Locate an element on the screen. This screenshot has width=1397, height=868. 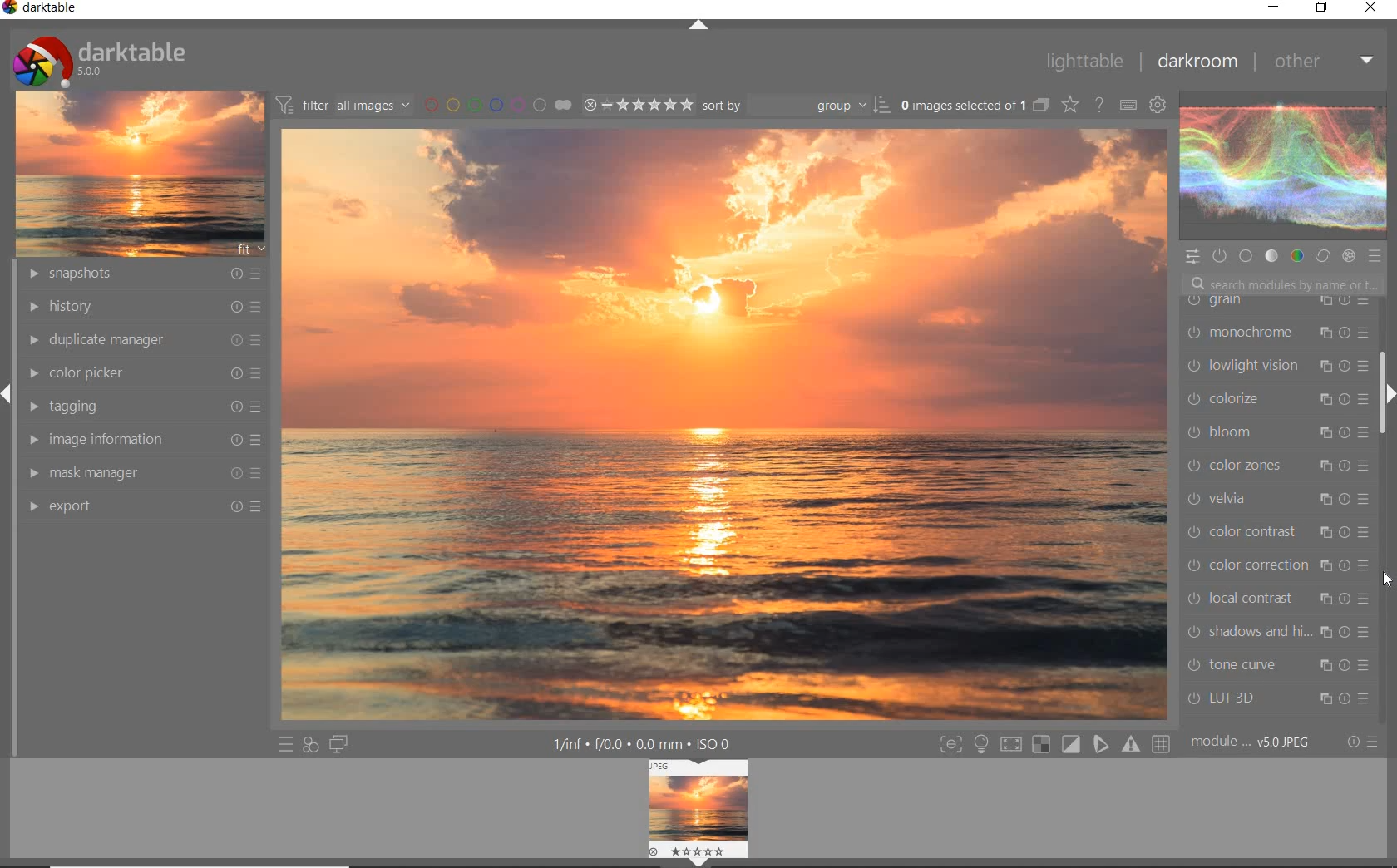
other is located at coordinates (1326, 65).